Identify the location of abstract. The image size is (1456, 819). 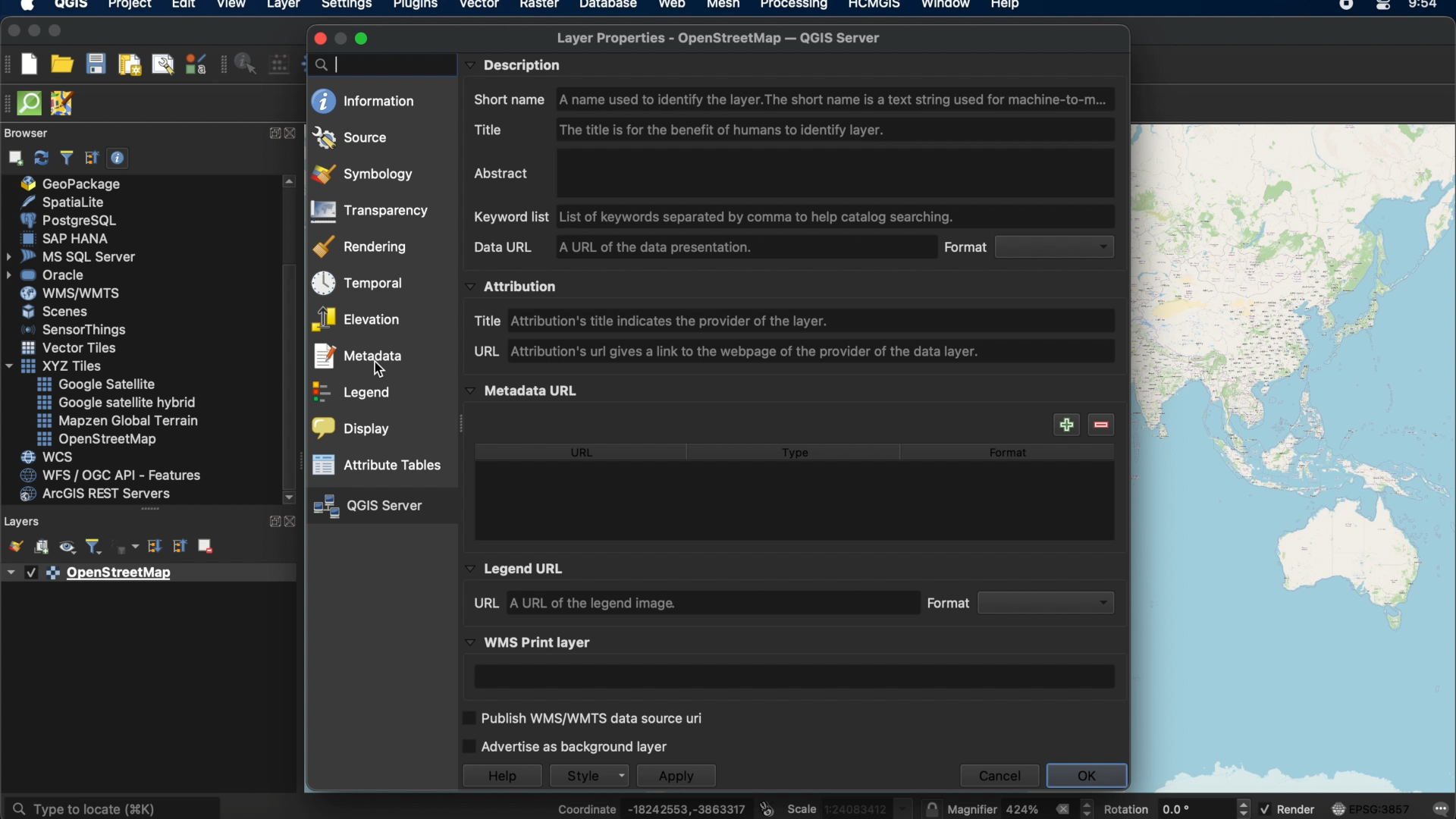
(501, 174).